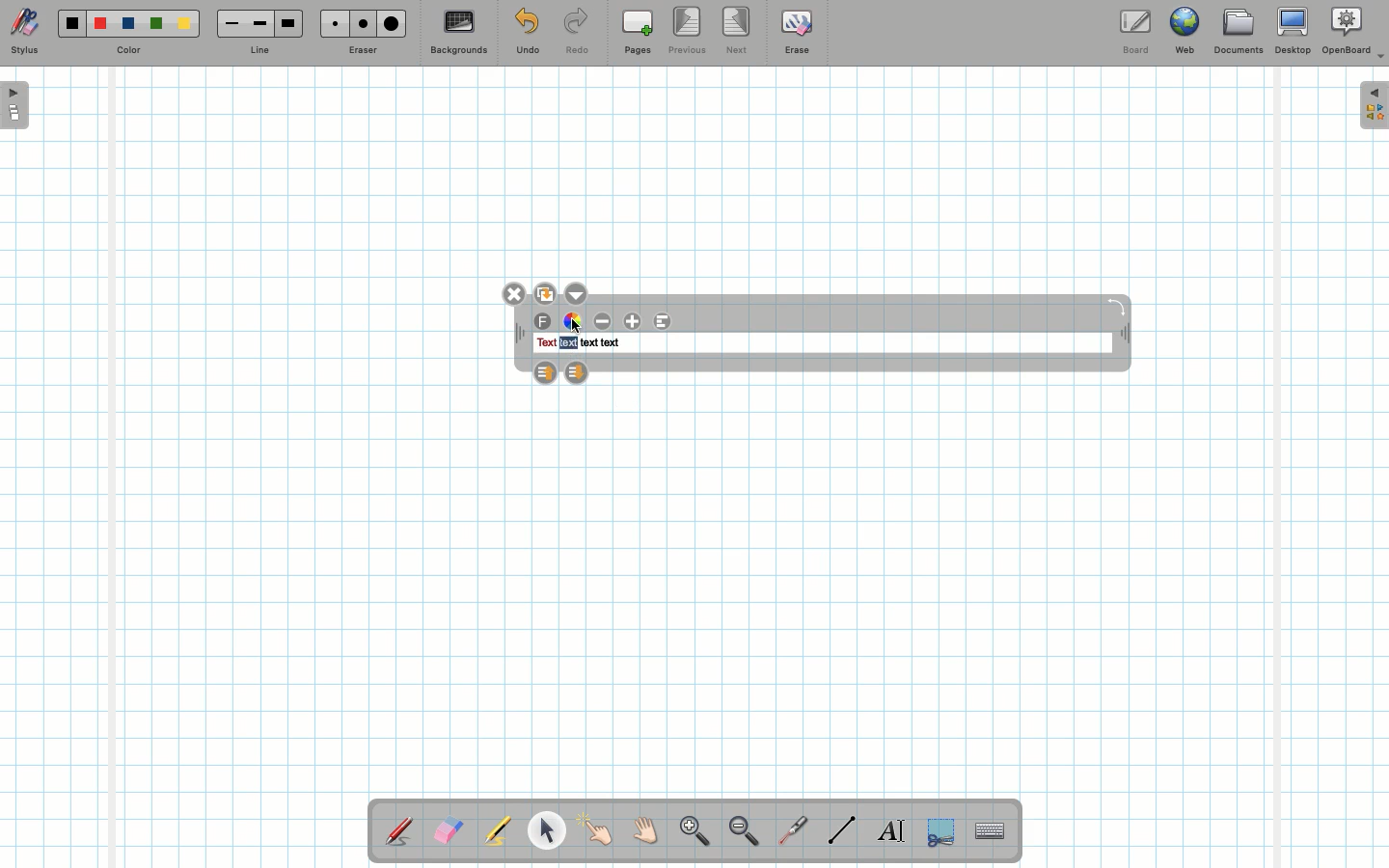 The width and height of the screenshot is (1389, 868). I want to click on Medium eraser, so click(360, 23).